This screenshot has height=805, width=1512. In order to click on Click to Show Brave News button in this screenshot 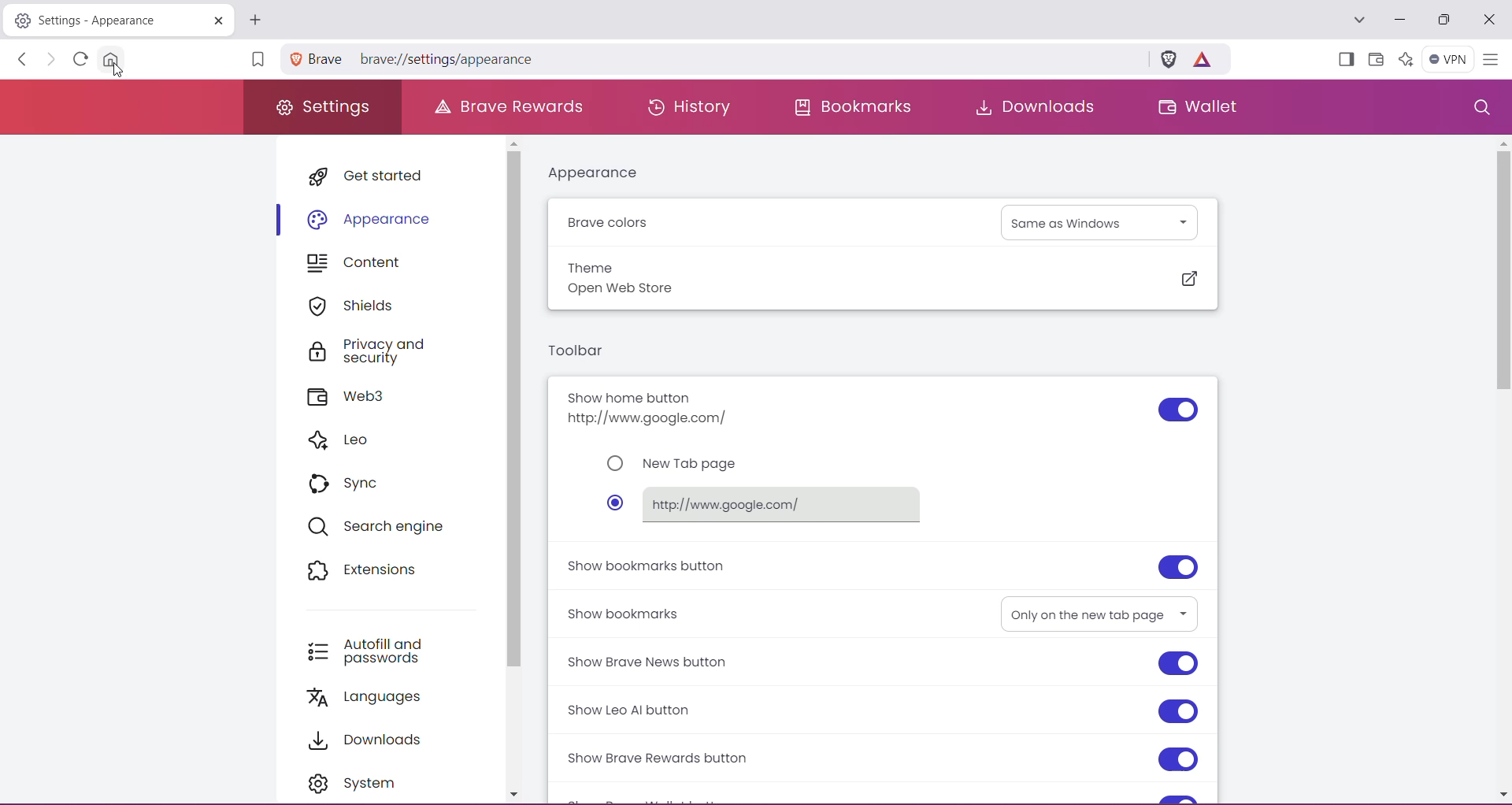, I will do `click(1179, 665)`.